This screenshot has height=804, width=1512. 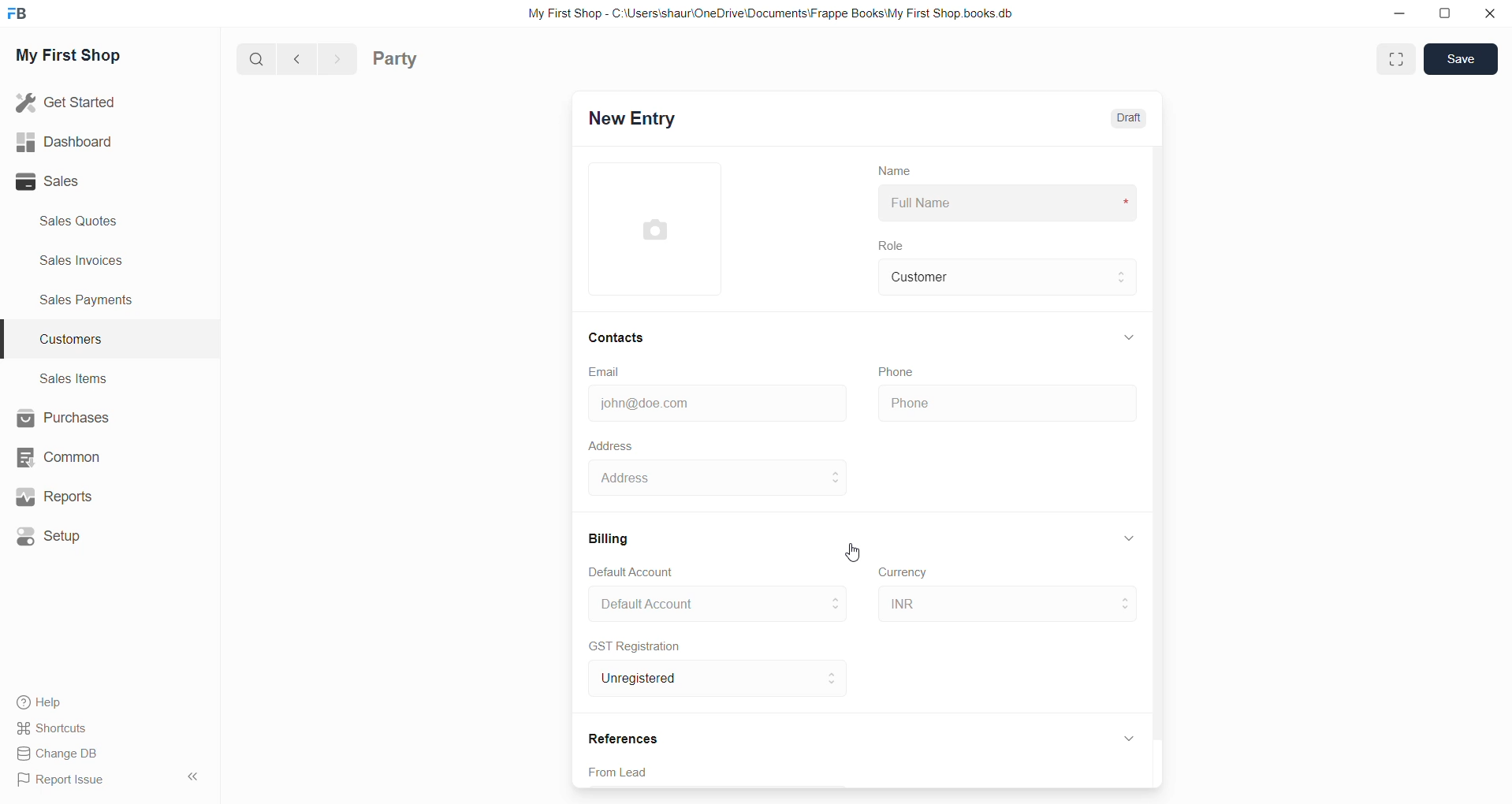 What do you see at coordinates (94, 303) in the screenshot?
I see `sales payments` at bounding box center [94, 303].